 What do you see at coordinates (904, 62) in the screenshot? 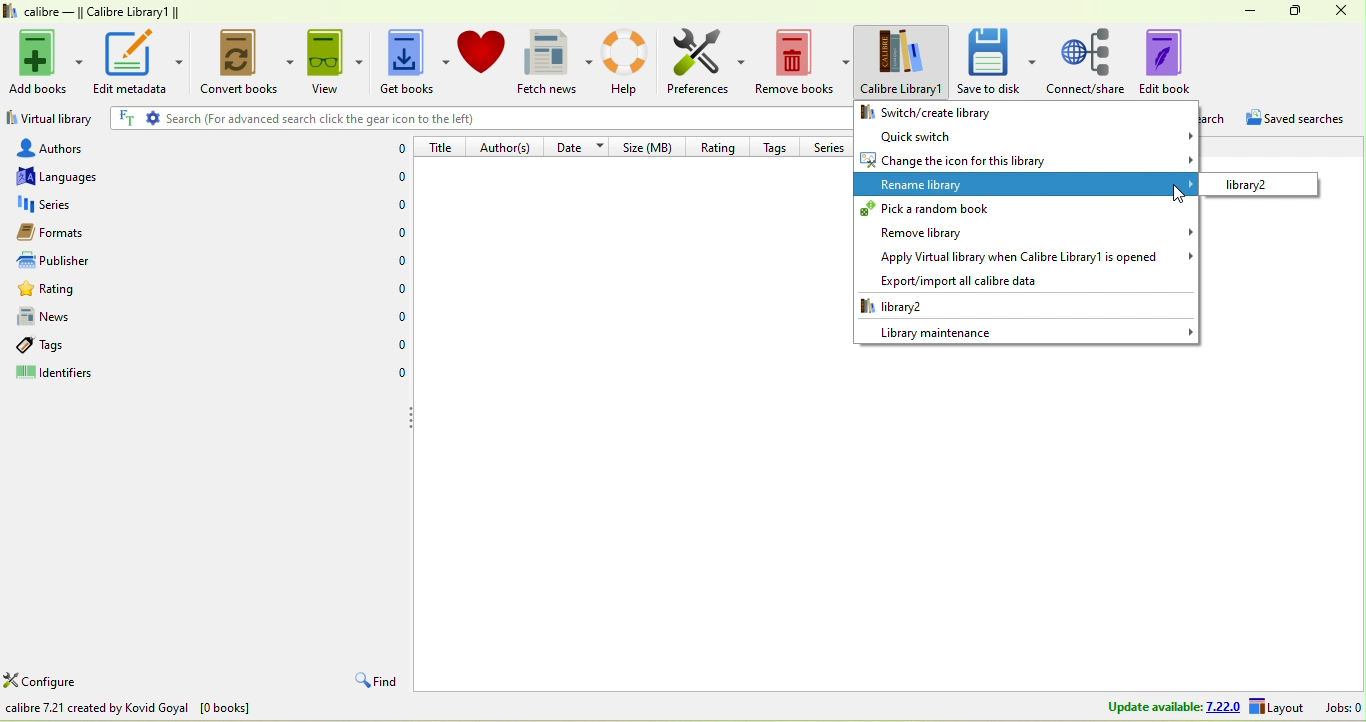
I see `calibre library1` at bounding box center [904, 62].